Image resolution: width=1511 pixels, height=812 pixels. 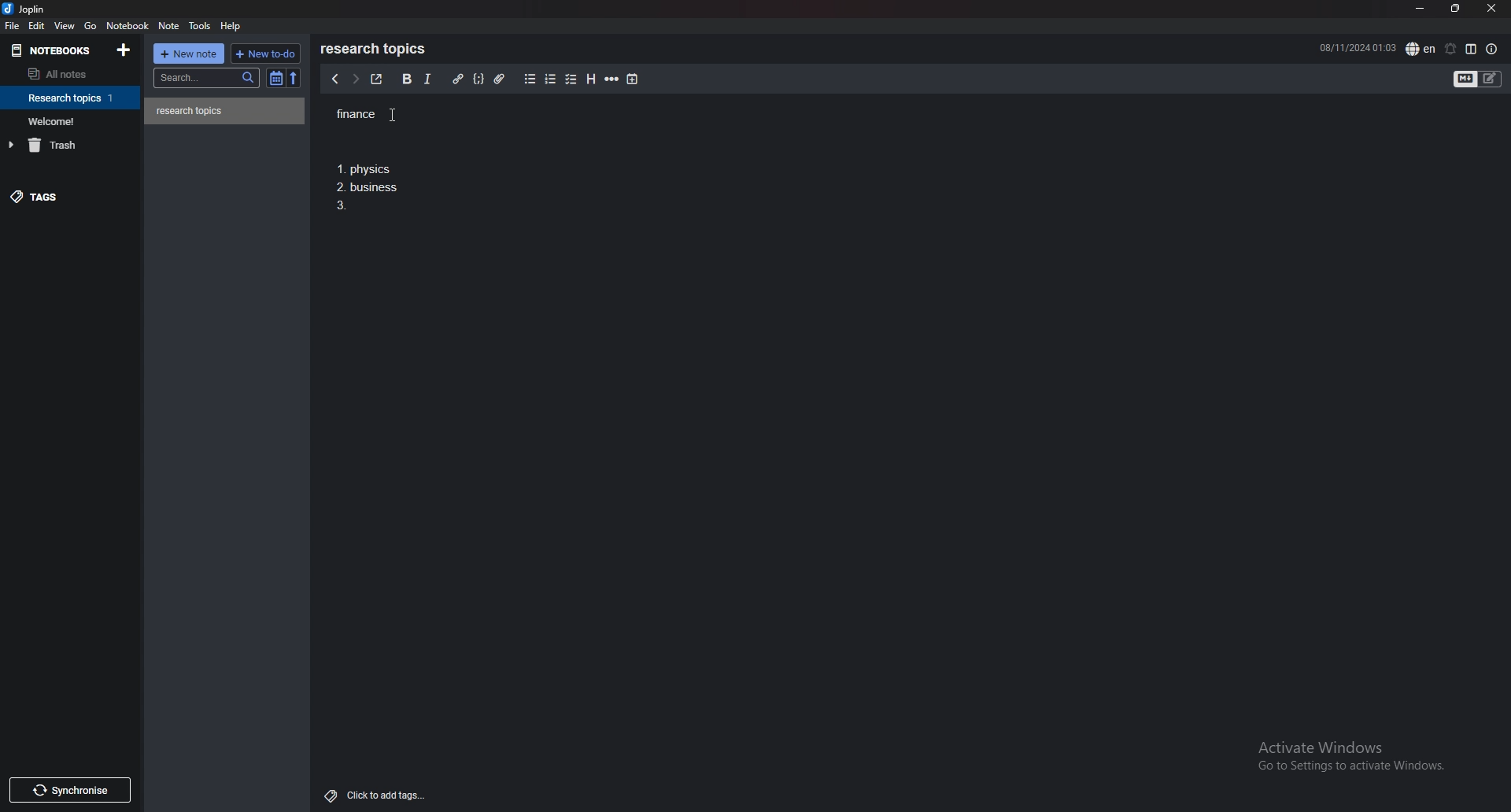 I want to click on tools, so click(x=200, y=26).